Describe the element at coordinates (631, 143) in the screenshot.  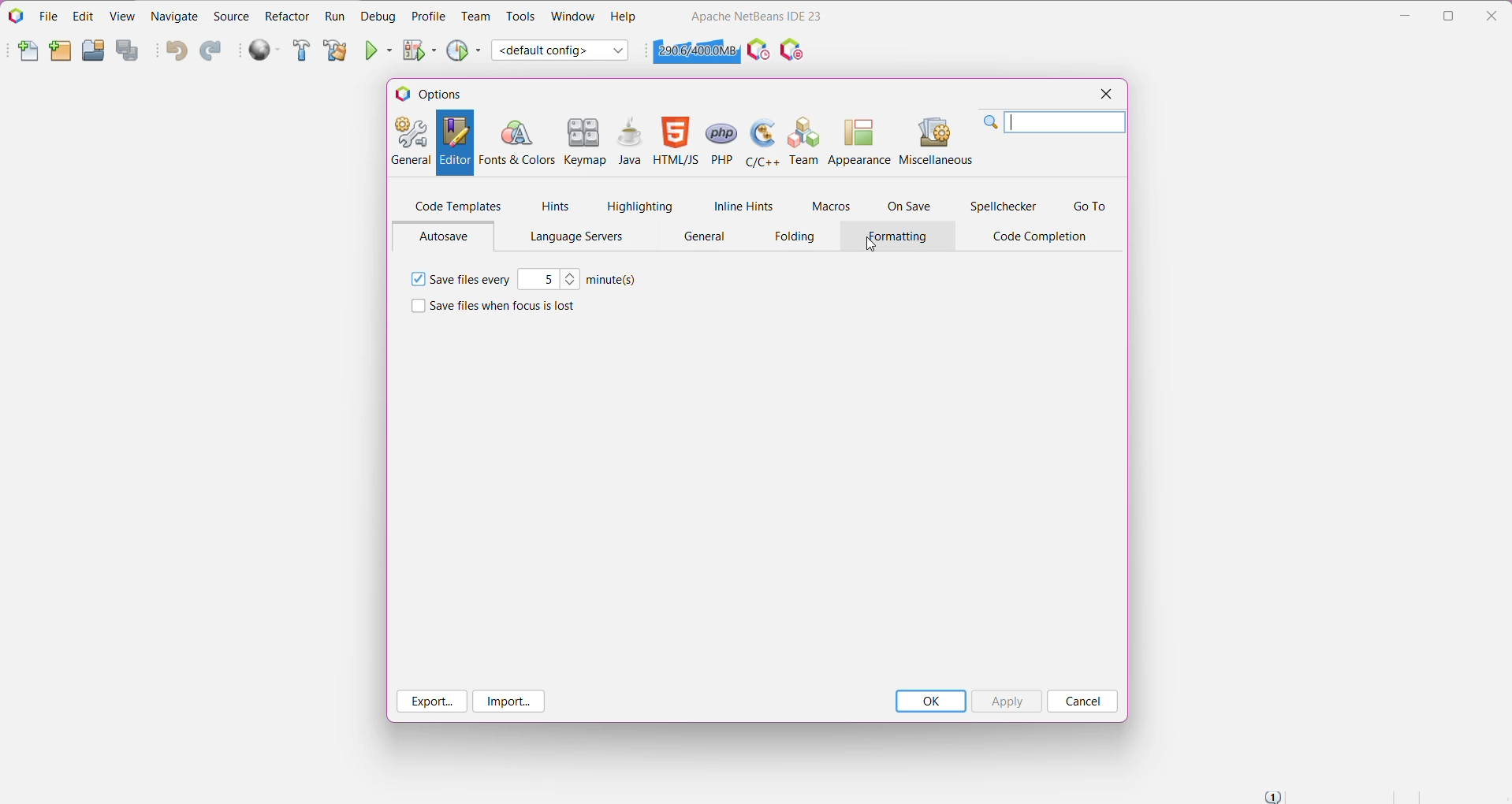
I see `Java` at that location.